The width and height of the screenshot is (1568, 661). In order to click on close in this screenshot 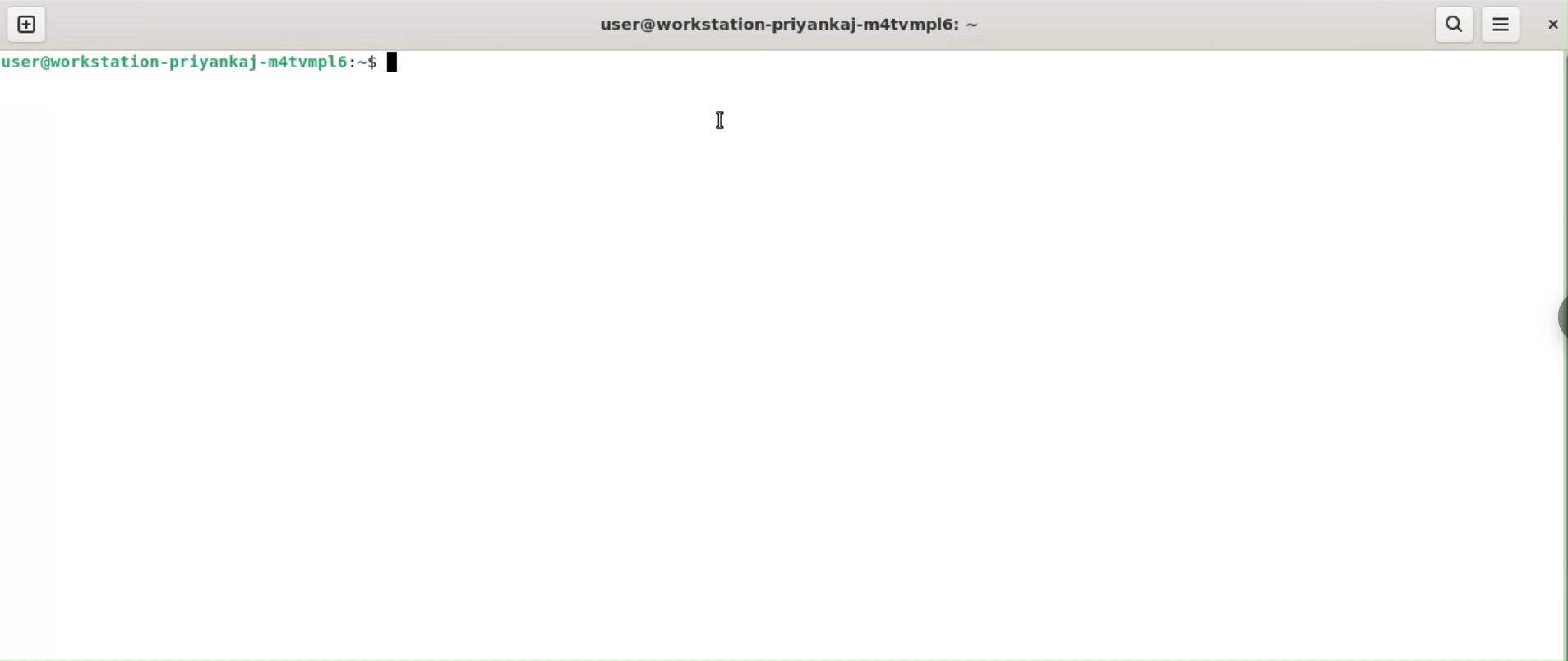, I will do `click(1552, 25)`.